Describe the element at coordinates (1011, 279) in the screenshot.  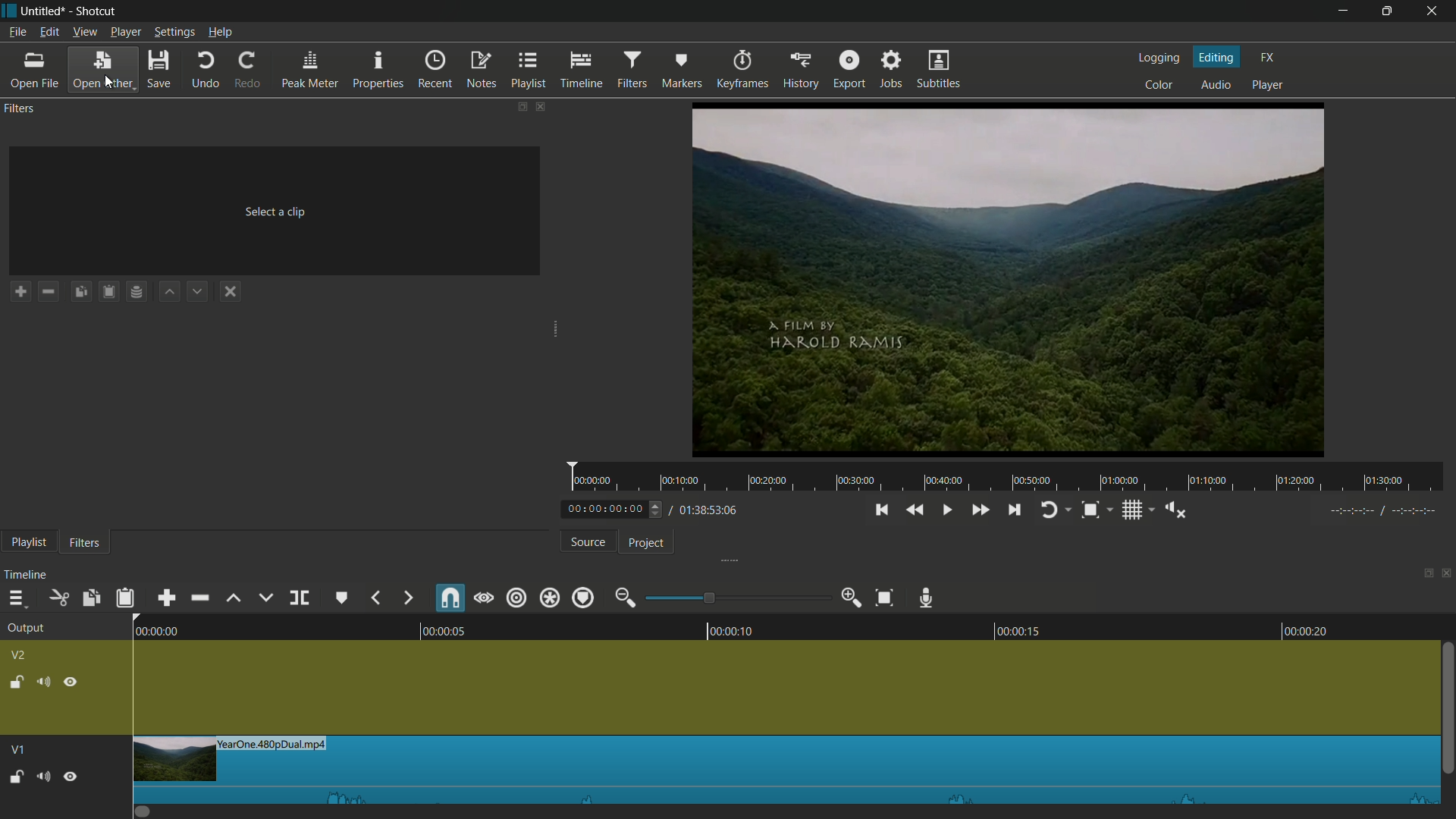
I see `preview` at that location.